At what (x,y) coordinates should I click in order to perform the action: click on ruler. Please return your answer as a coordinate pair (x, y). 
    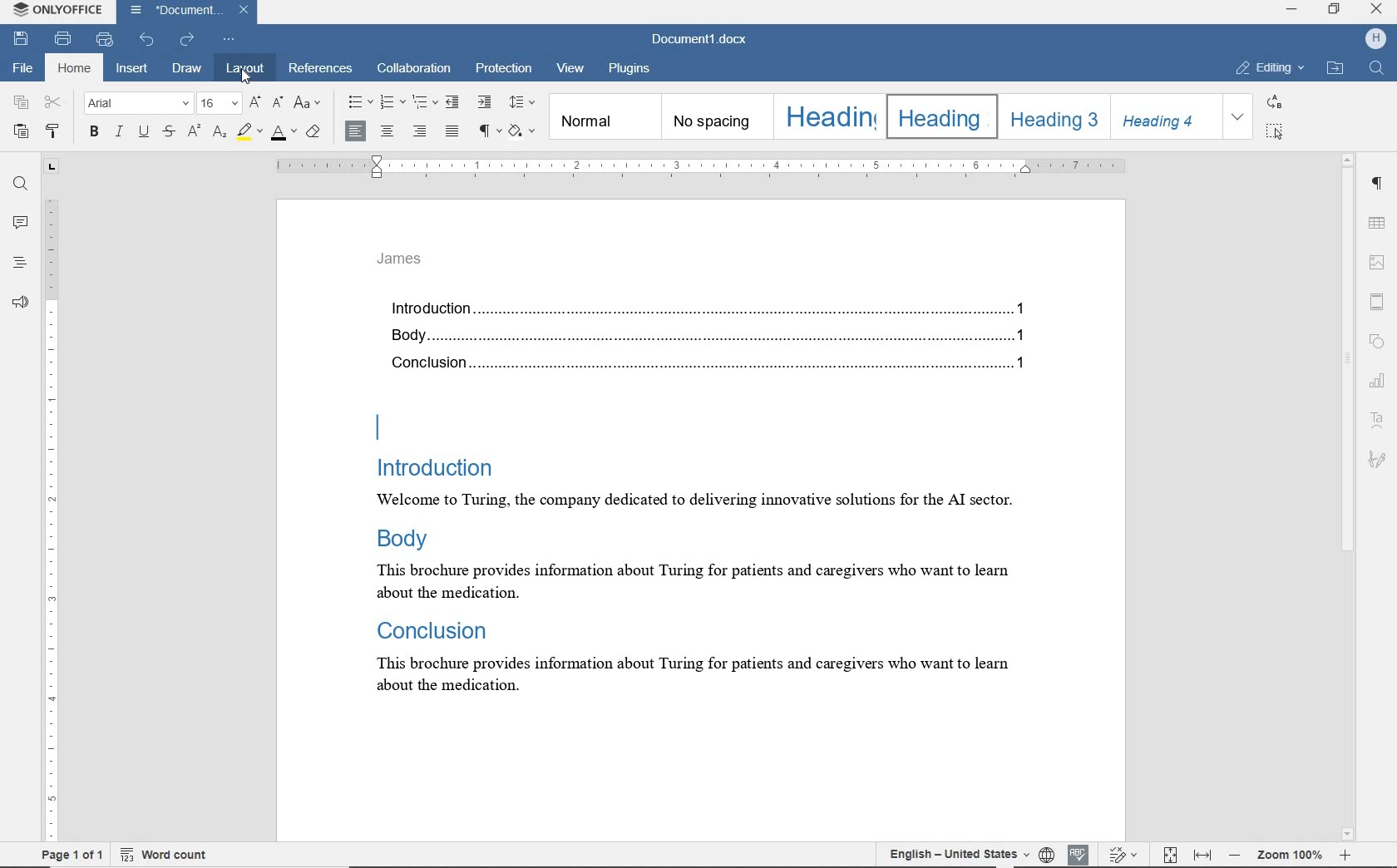
    Looking at the image, I should click on (51, 499).